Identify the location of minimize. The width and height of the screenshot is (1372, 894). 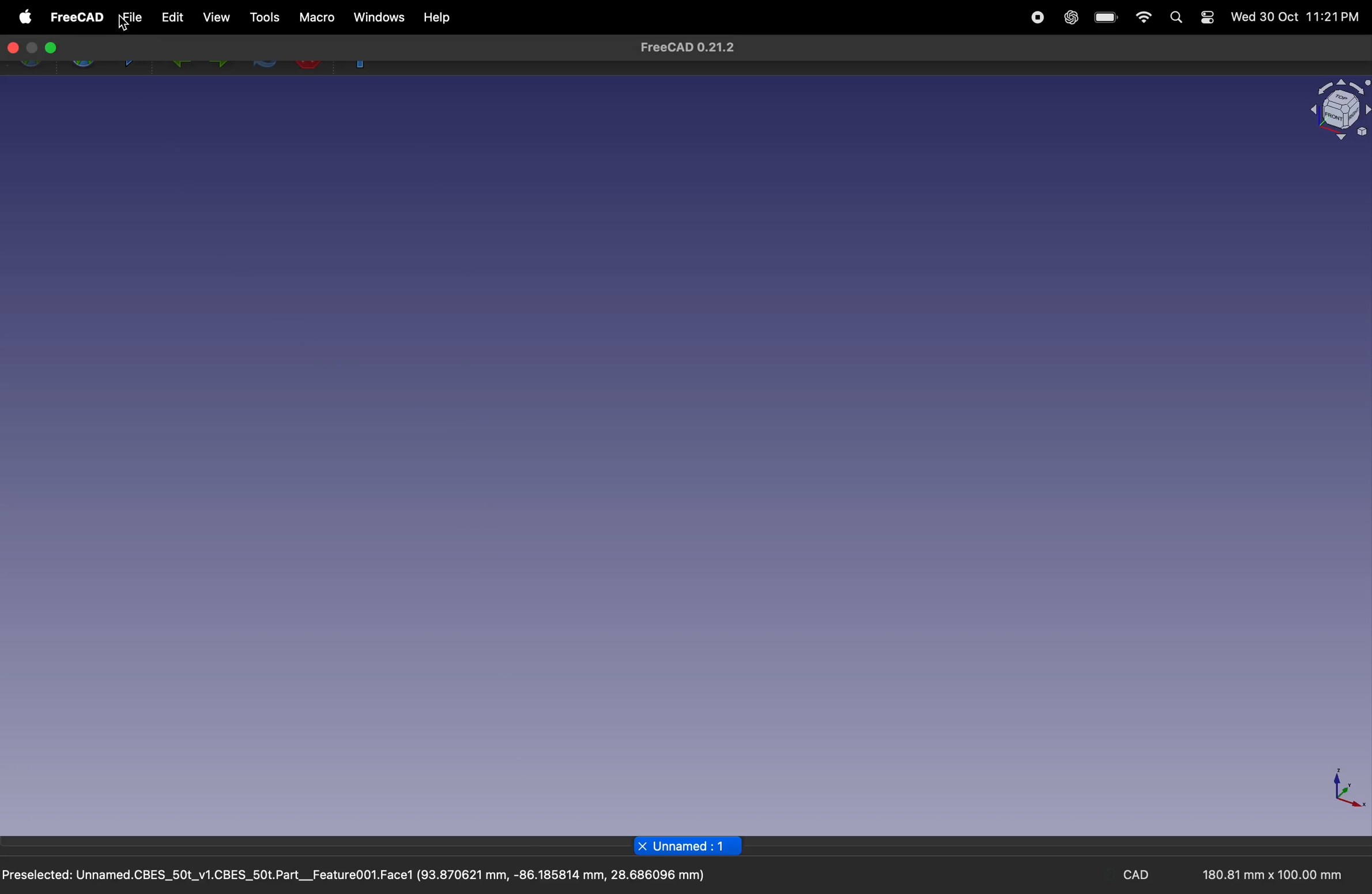
(32, 48).